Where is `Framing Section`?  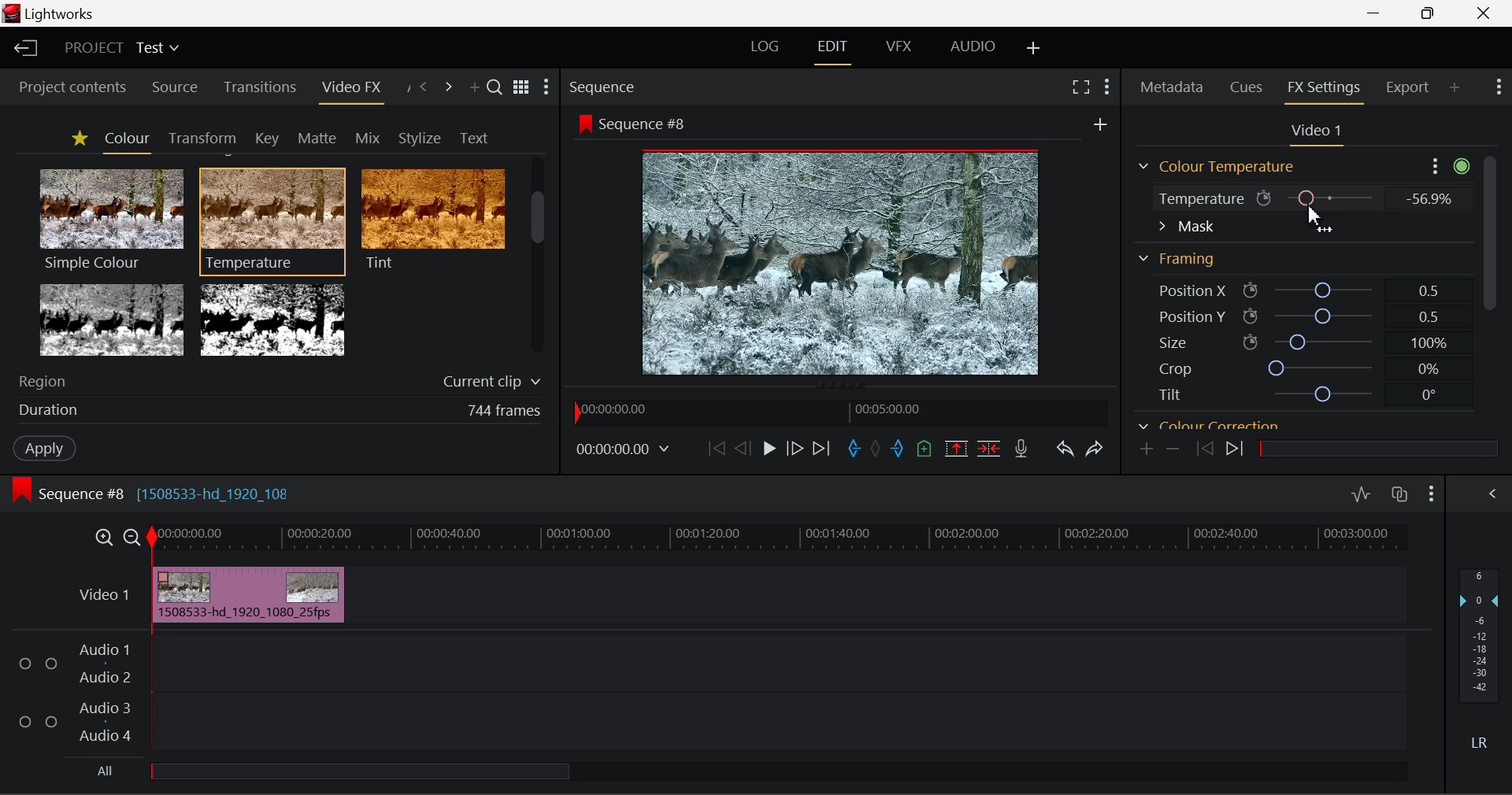 Framing Section is located at coordinates (1181, 256).